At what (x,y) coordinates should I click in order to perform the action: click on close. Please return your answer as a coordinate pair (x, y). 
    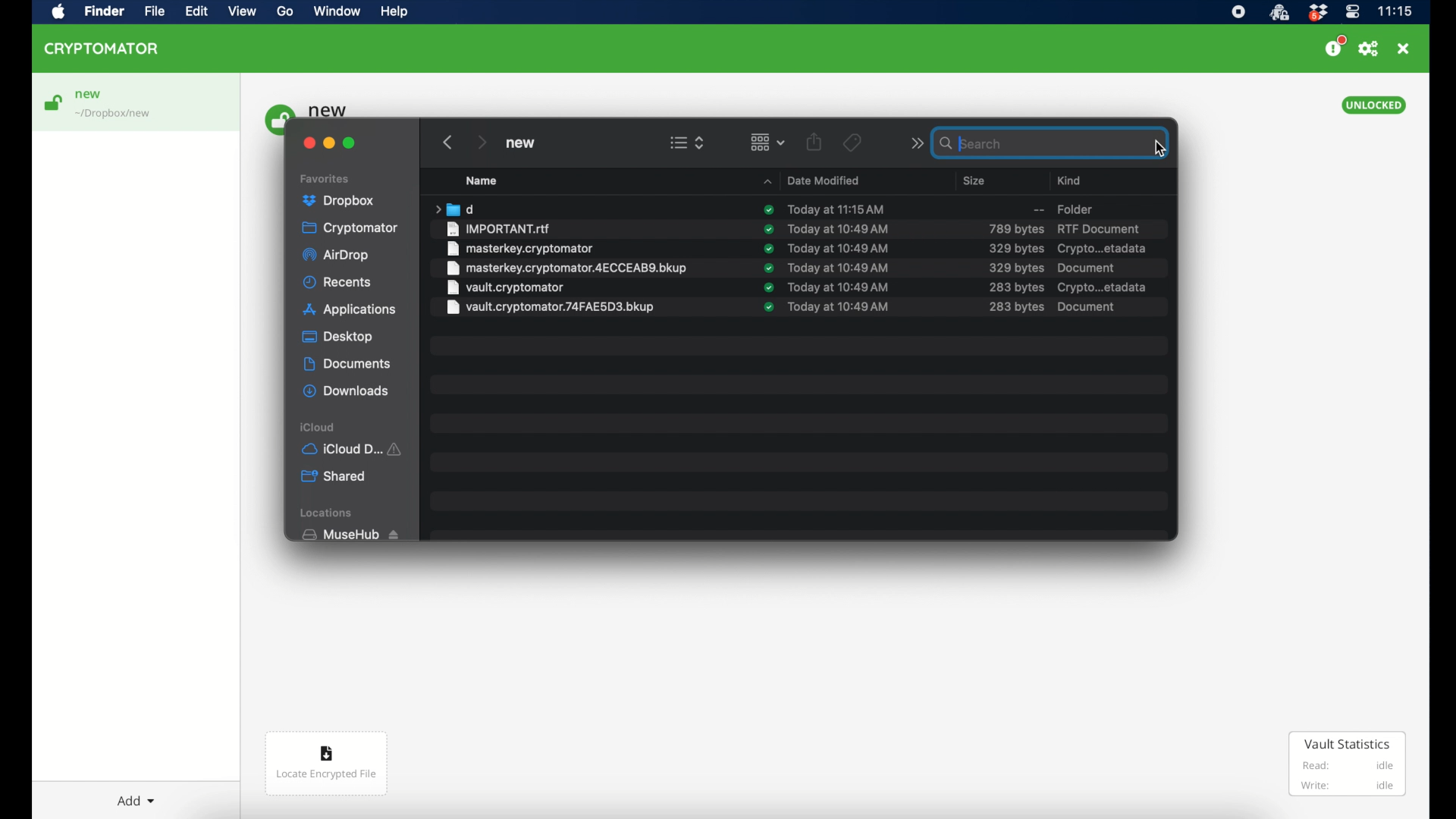
    Looking at the image, I should click on (1403, 49).